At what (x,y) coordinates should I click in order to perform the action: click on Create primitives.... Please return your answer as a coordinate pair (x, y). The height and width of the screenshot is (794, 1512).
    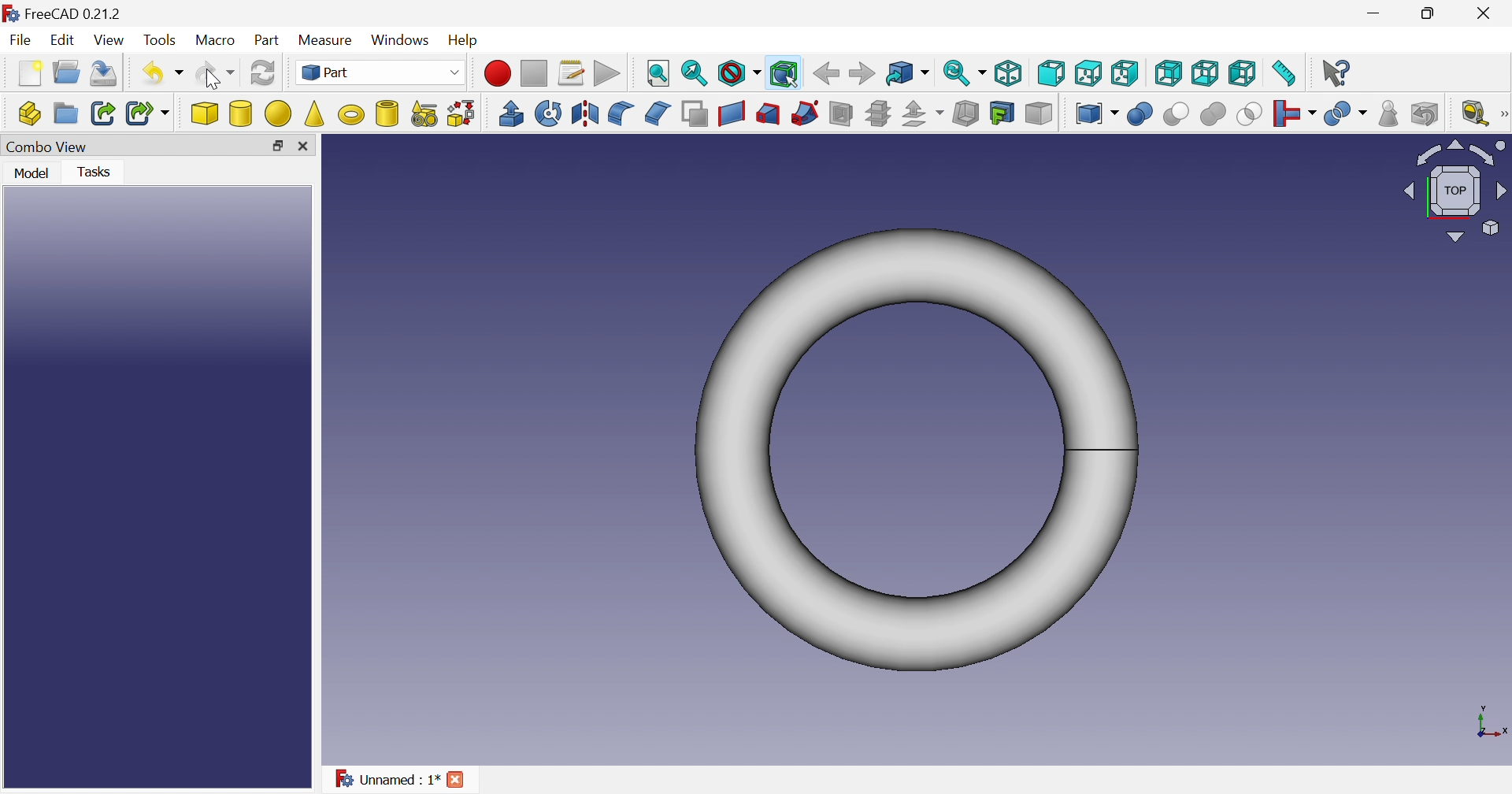
    Looking at the image, I should click on (425, 114).